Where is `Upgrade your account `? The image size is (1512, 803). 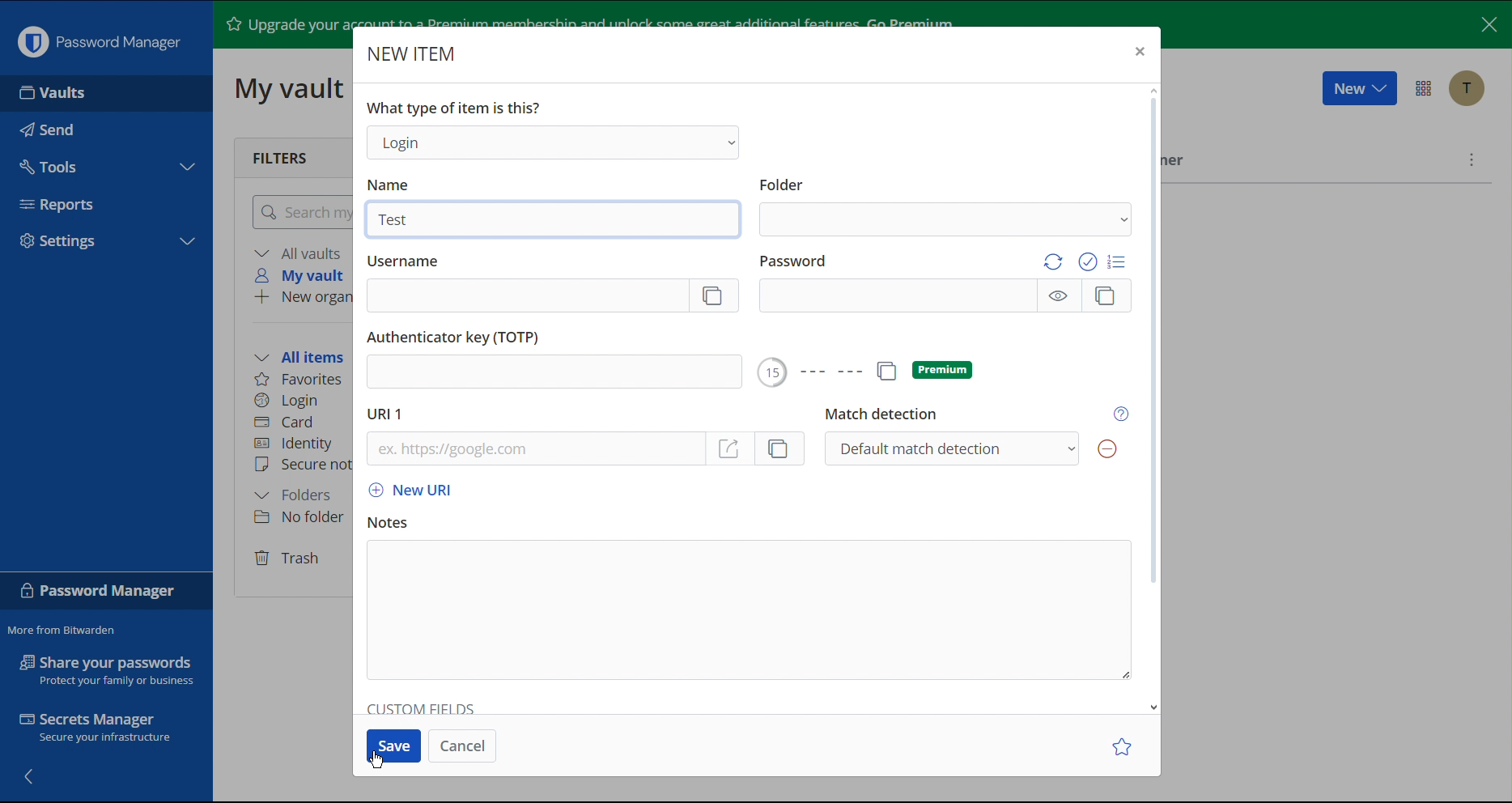
Upgrade your account  is located at coordinates (280, 23).